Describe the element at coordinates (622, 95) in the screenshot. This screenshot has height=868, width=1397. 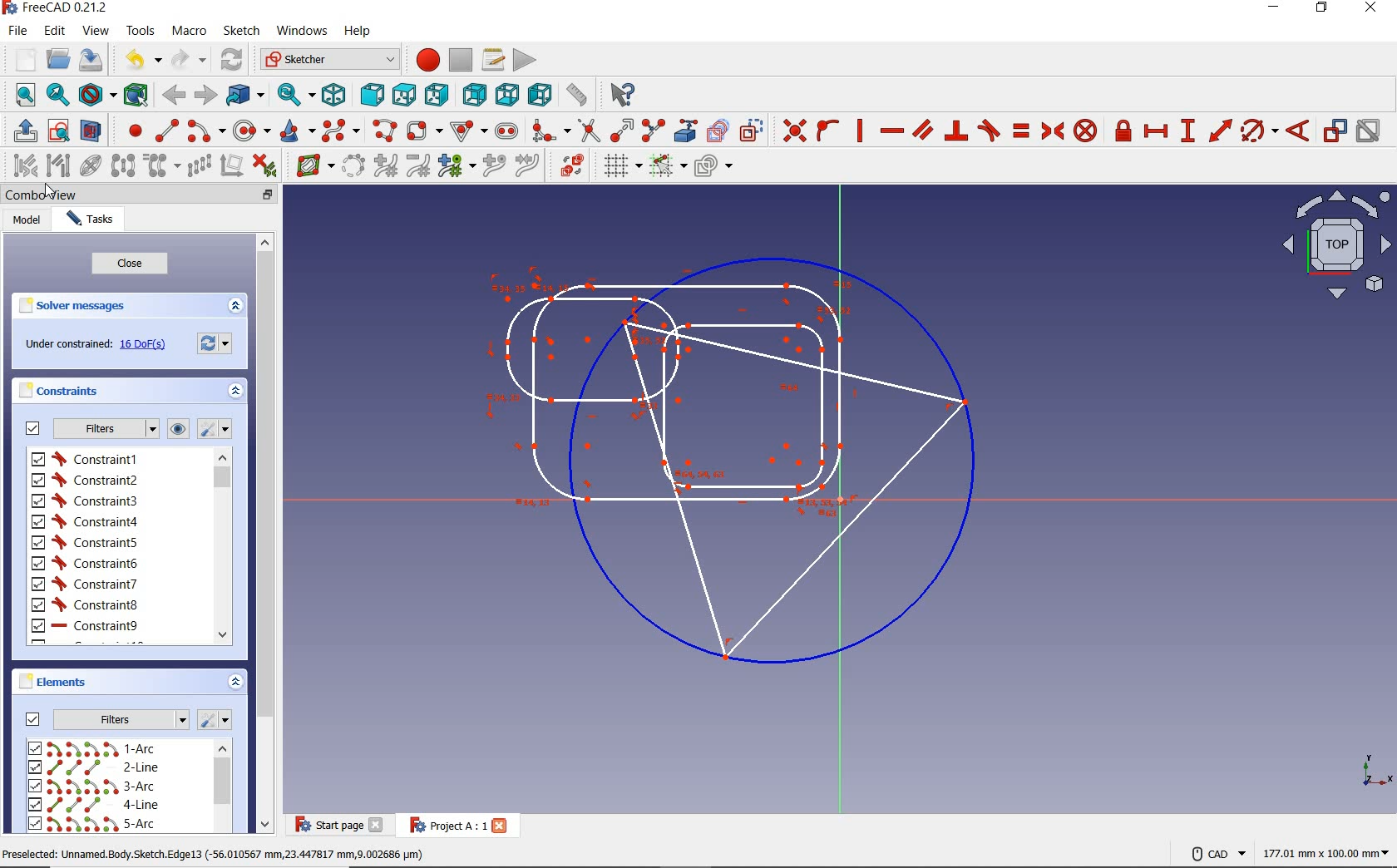
I see `what's this?` at that location.